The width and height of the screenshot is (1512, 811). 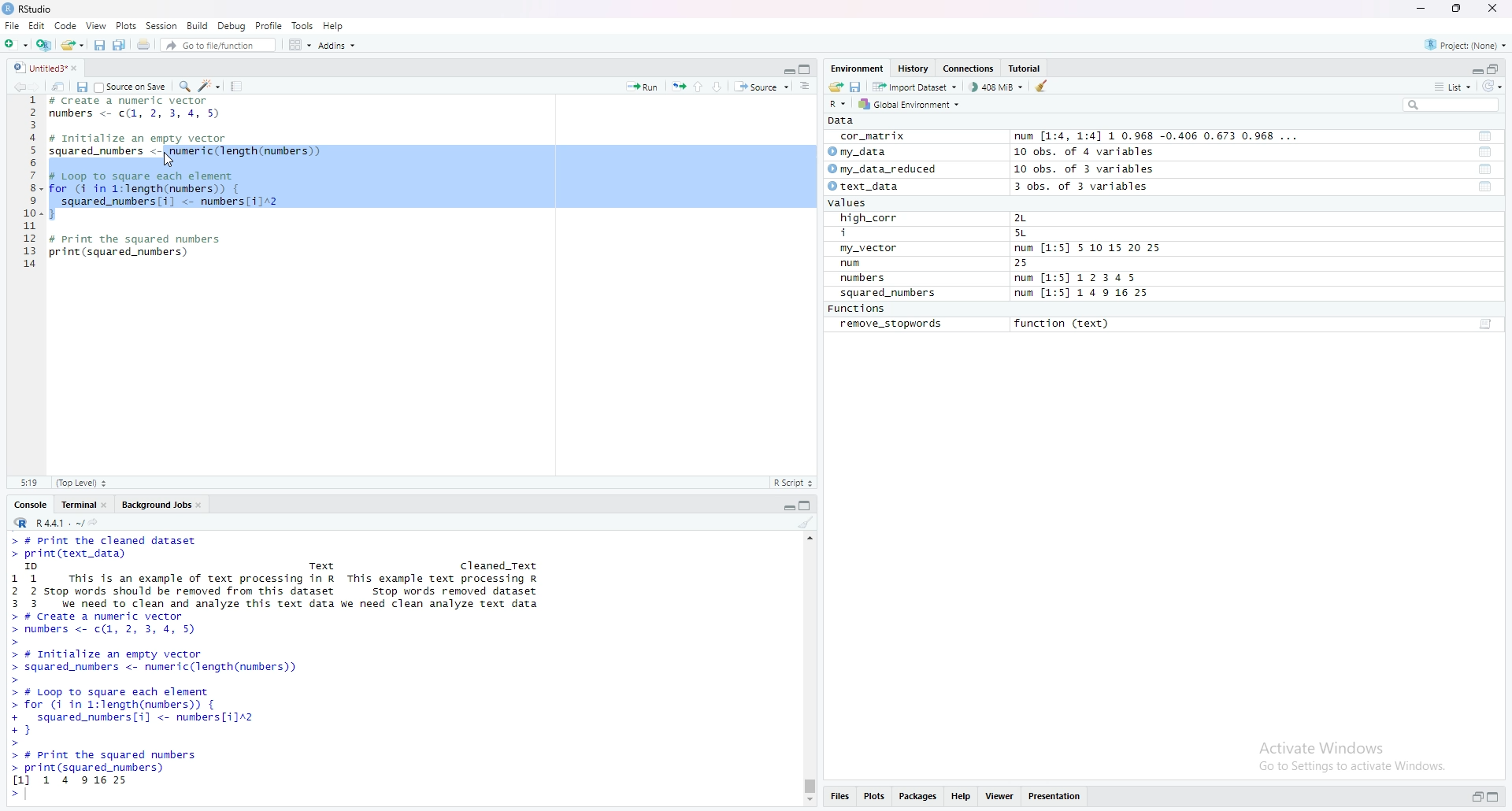 What do you see at coordinates (839, 798) in the screenshot?
I see `Files` at bounding box center [839, 798].